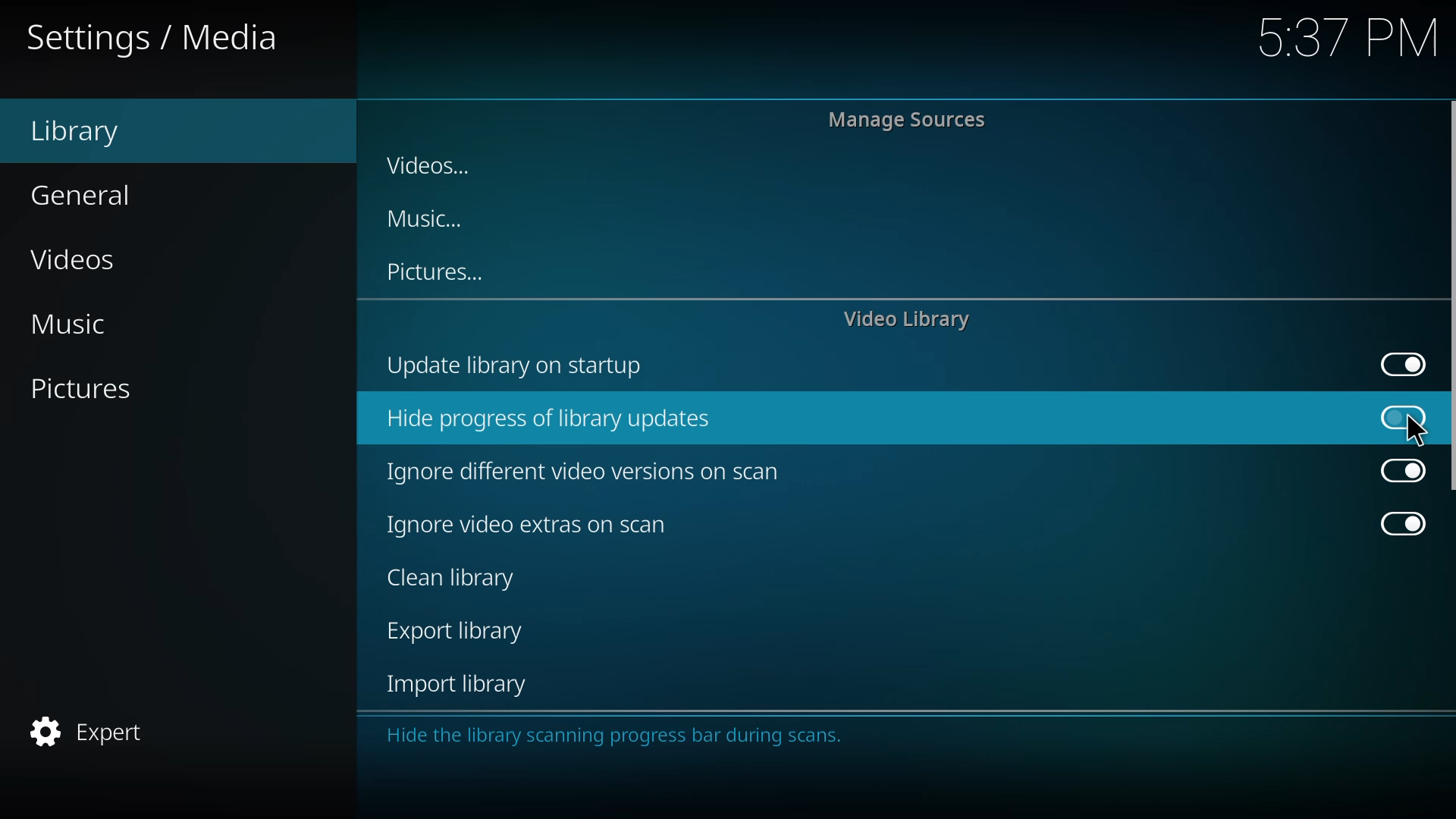 The height and width of the screenshot is (819, 1456). Describe the element at coordinates (79, 326) in the screenshot. I see `music` at that location.